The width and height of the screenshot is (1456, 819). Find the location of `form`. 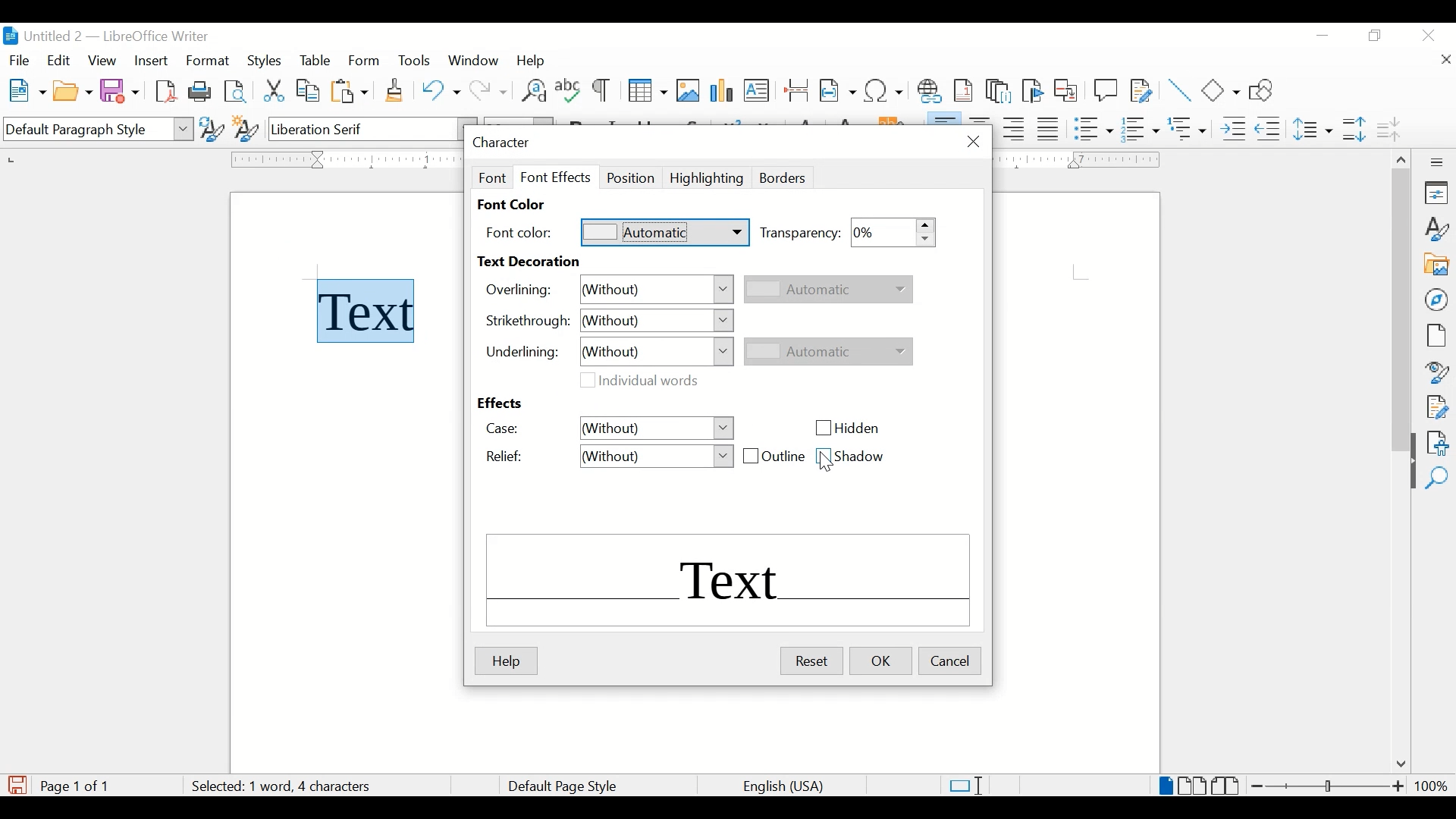

form is located at coordinates (366, 61).